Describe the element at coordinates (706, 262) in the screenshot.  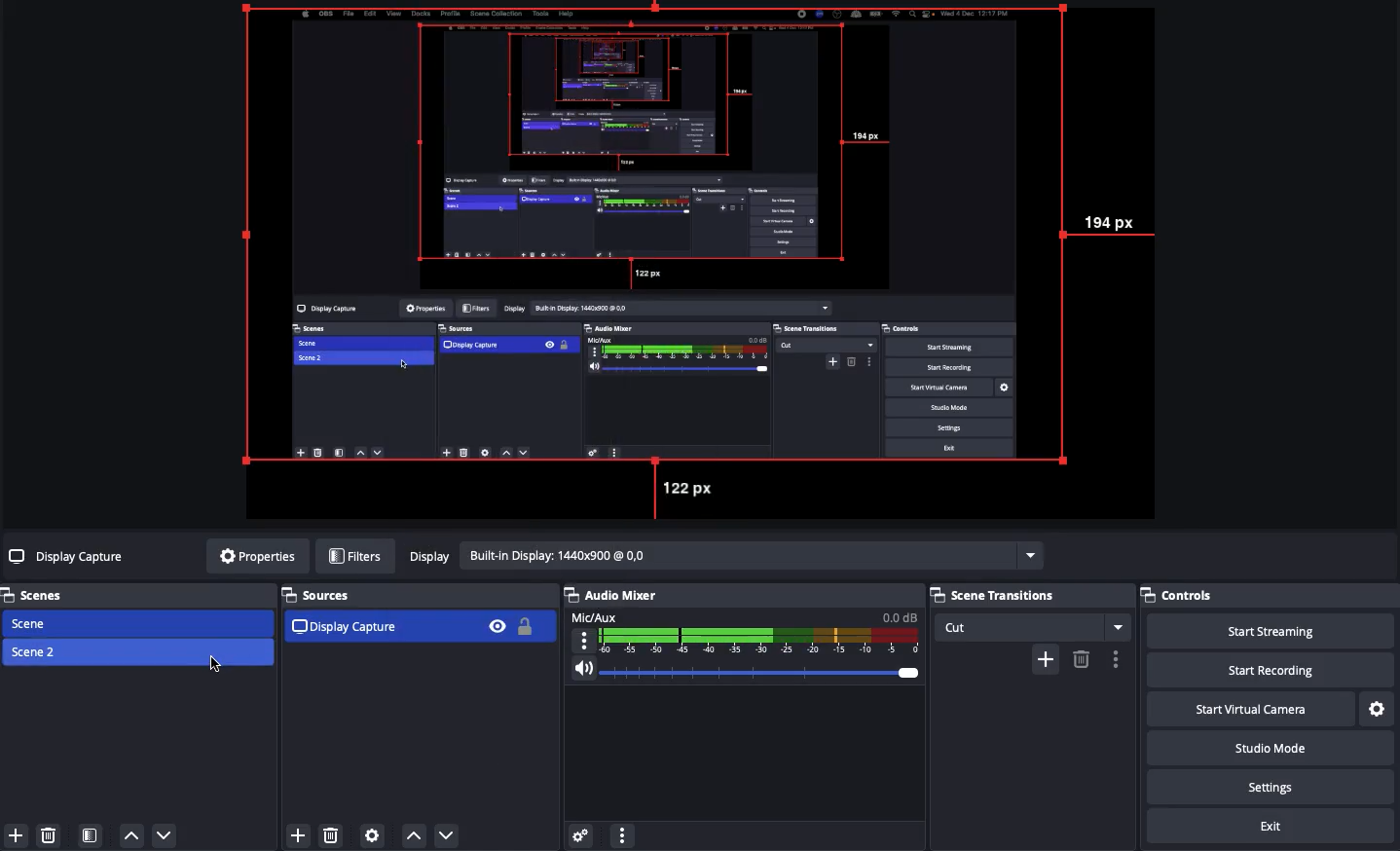
I see `Screen` at that location.